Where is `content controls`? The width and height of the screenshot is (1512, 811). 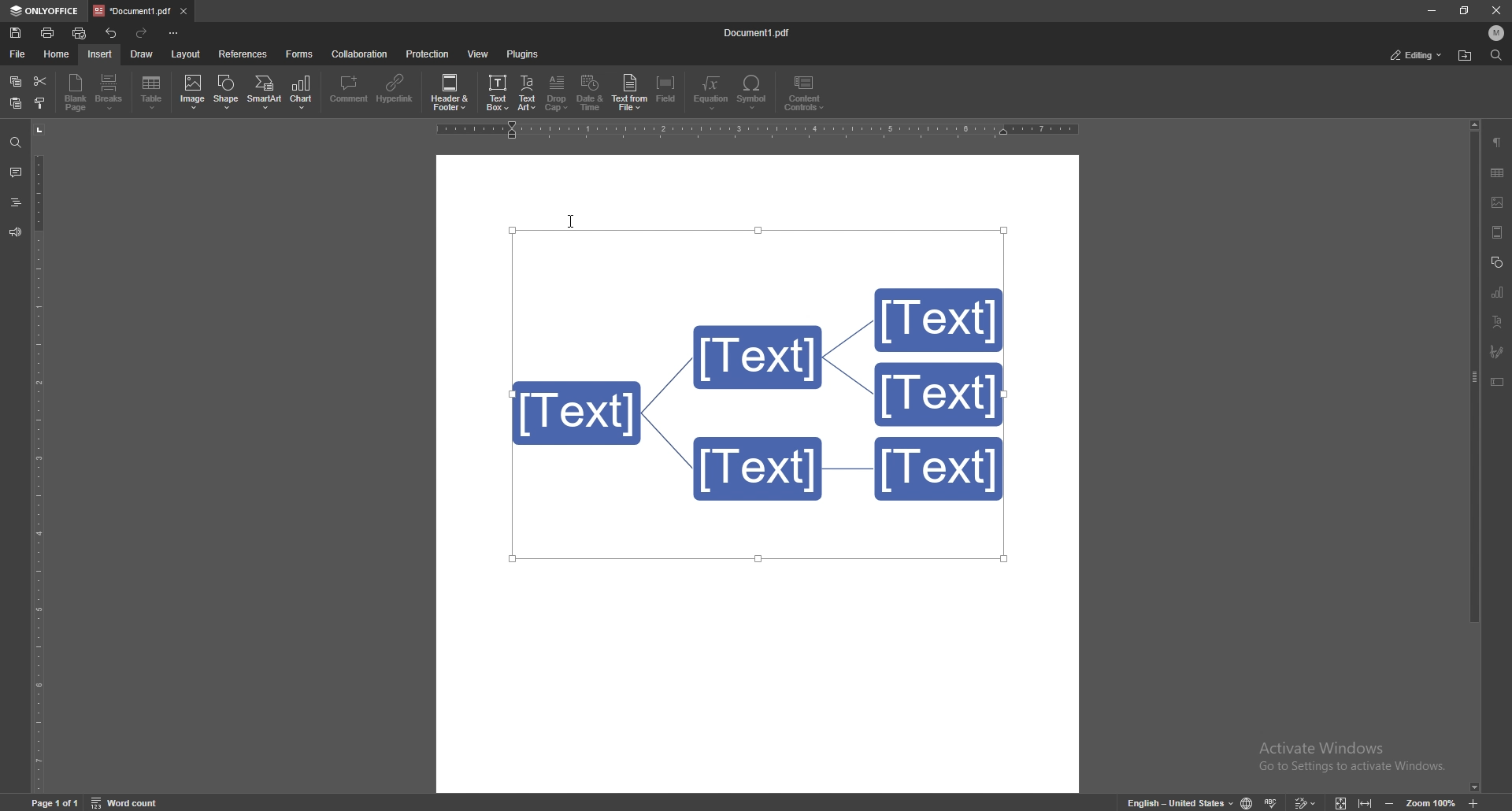 content controls is located at coordinates (803, 93).